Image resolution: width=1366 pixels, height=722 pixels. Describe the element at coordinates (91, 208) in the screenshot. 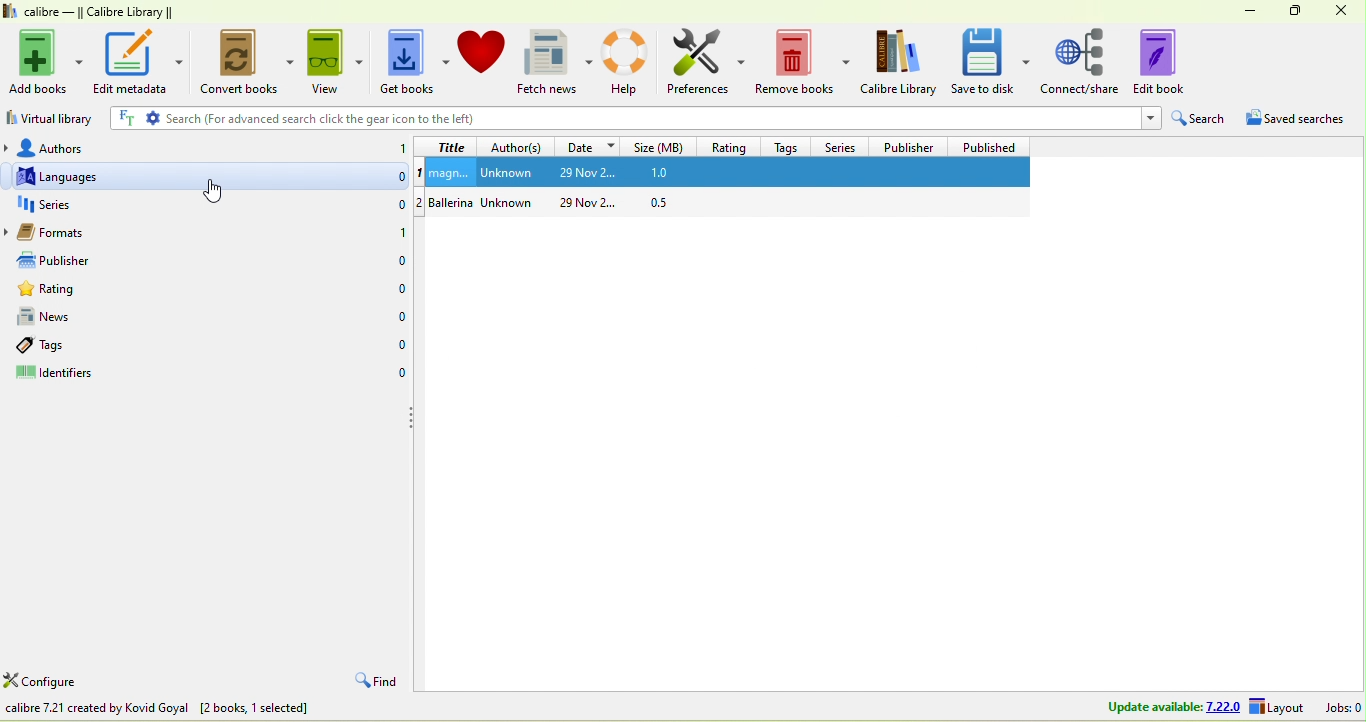

I see `series` at that location.